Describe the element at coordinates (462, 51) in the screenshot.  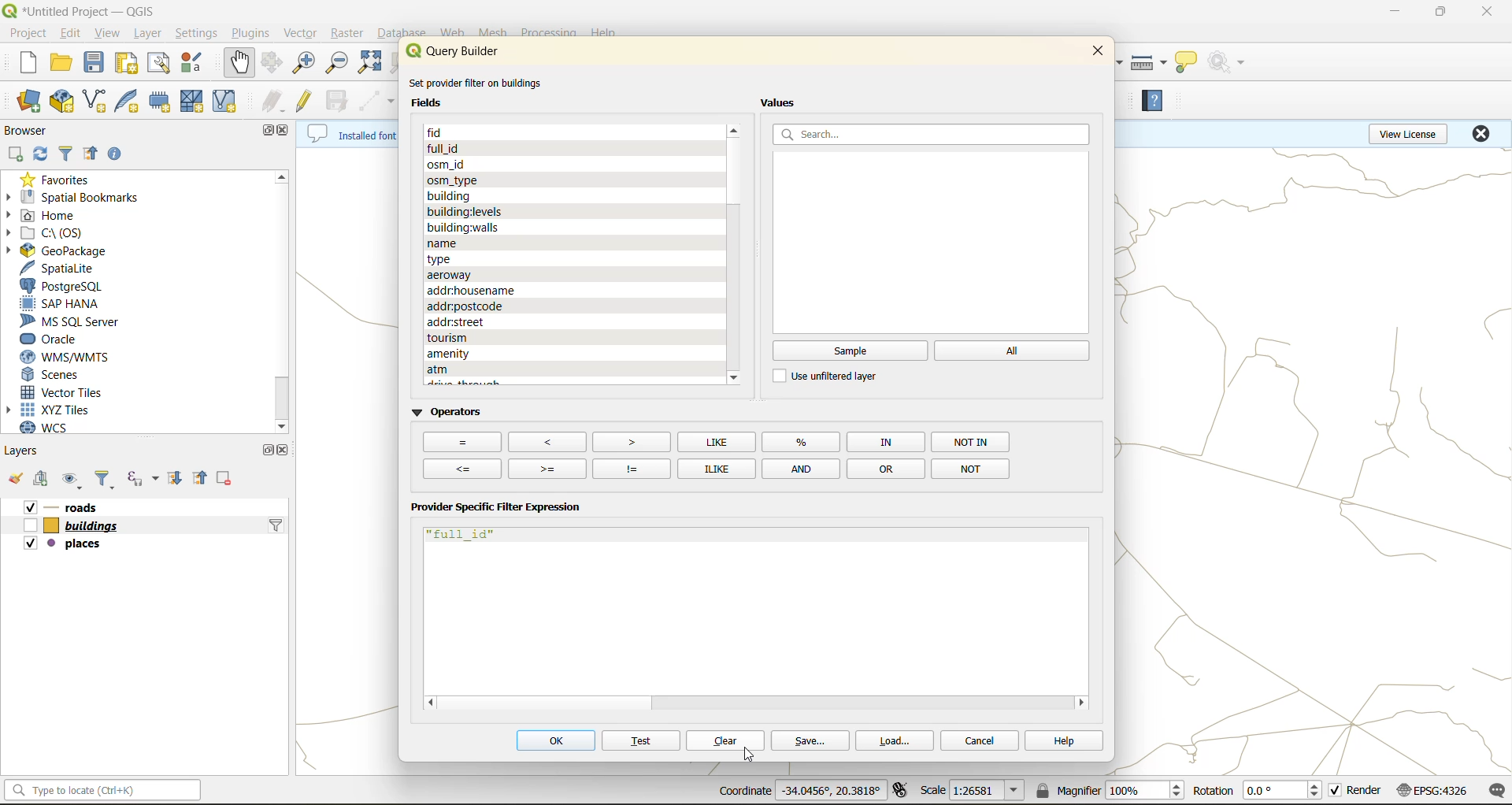
I see `query builder` at that location.